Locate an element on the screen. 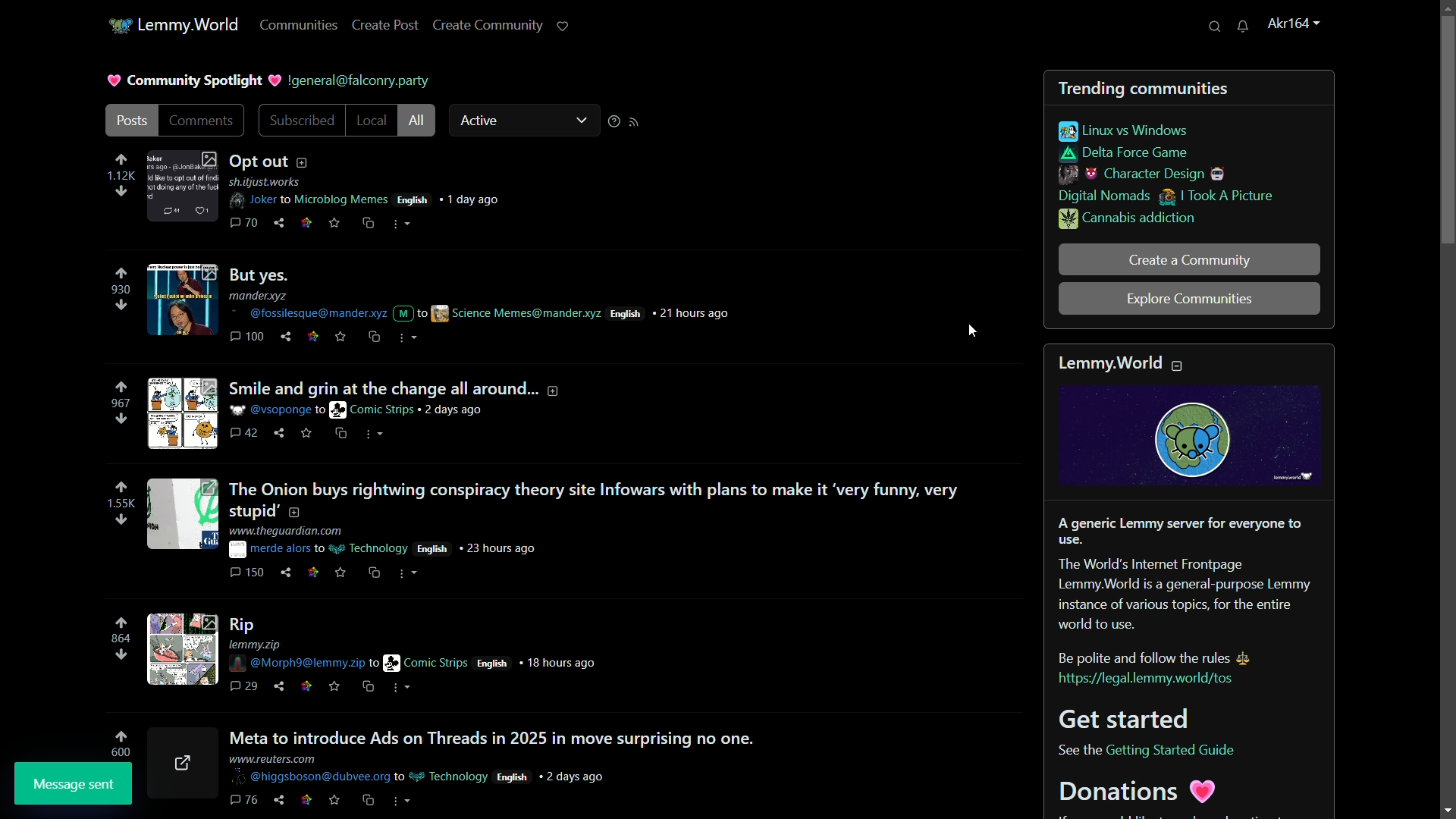 This screenshot has height=819, width=1456. picture is located at coordinates (279, 81).